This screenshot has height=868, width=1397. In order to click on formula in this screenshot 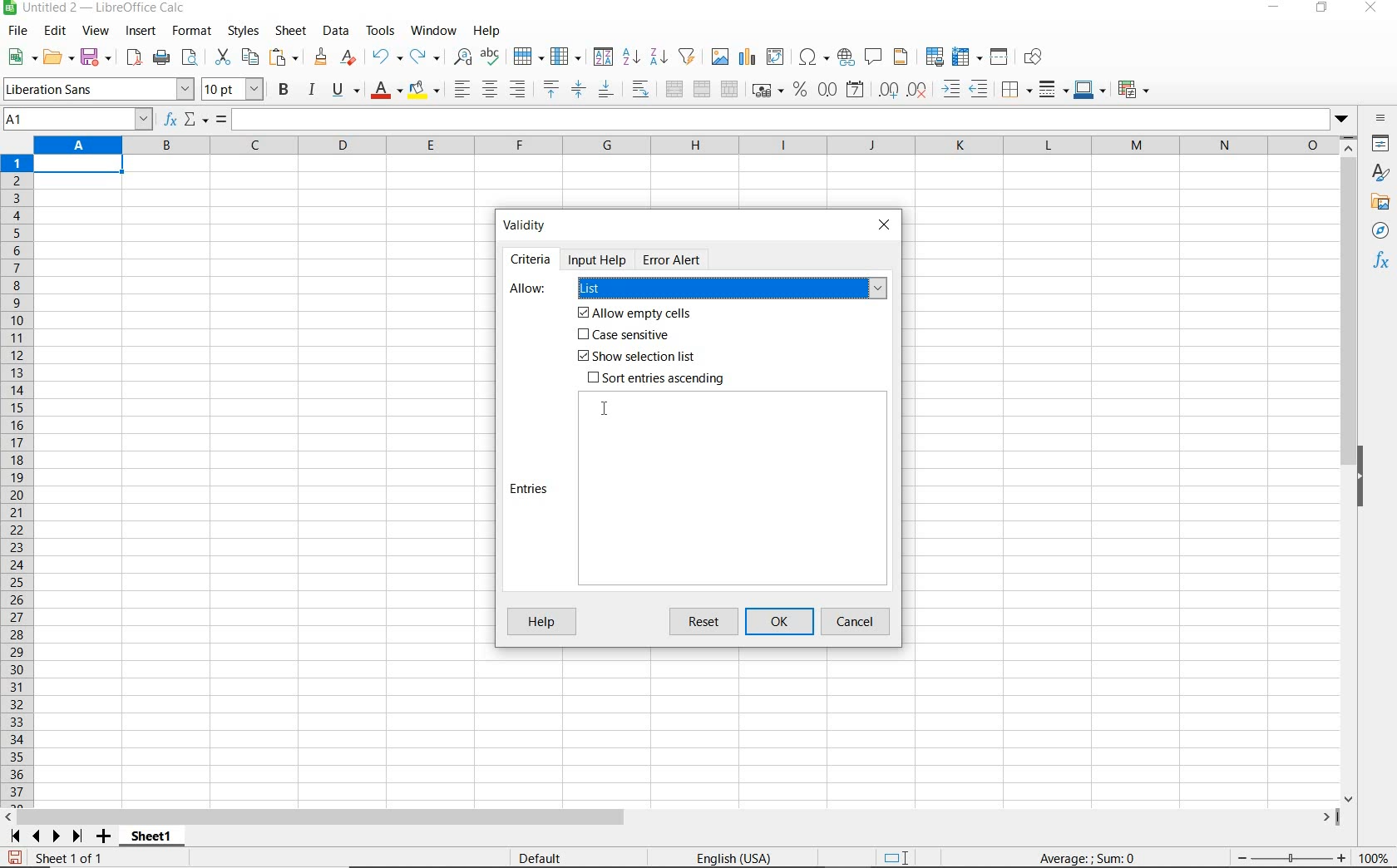, I will do `click(221, 121)`.